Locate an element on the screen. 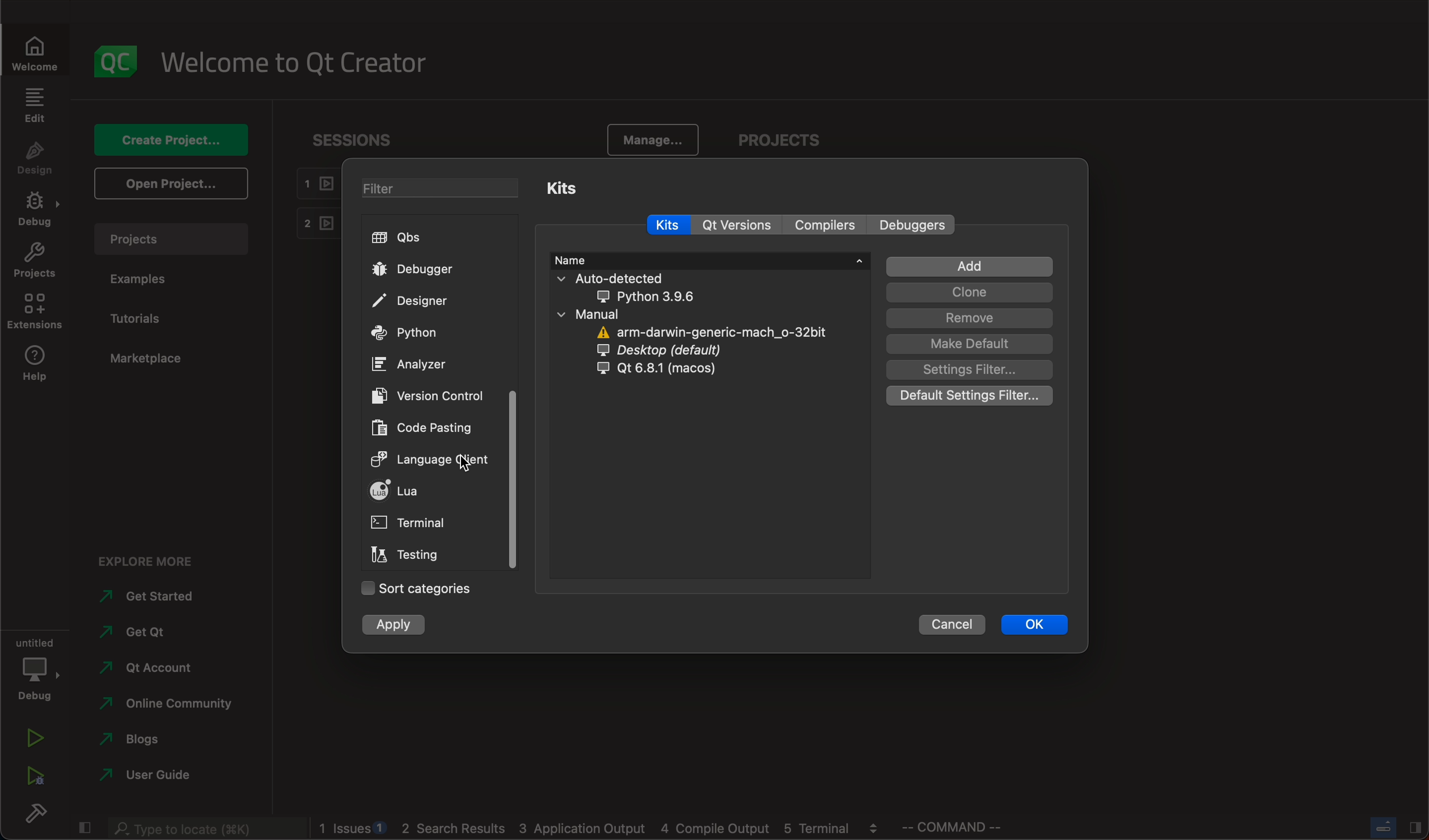 This screenshot has height=840, width=1429. commands is located at coordinates (959, 829).